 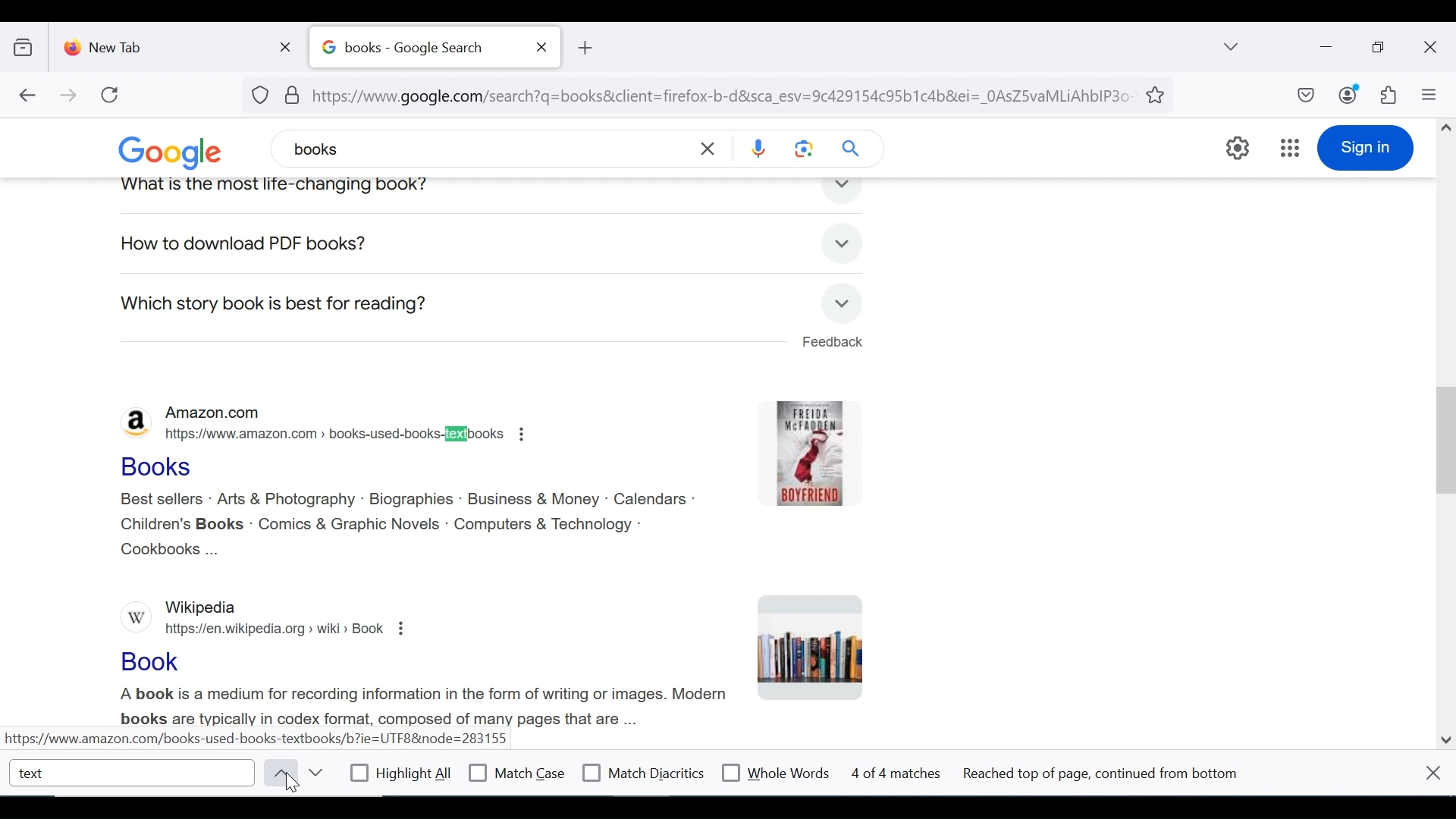 What do you see at coordinates (332, 244) in the screenshot?
I see `videos` at bounding box center [332, 244].